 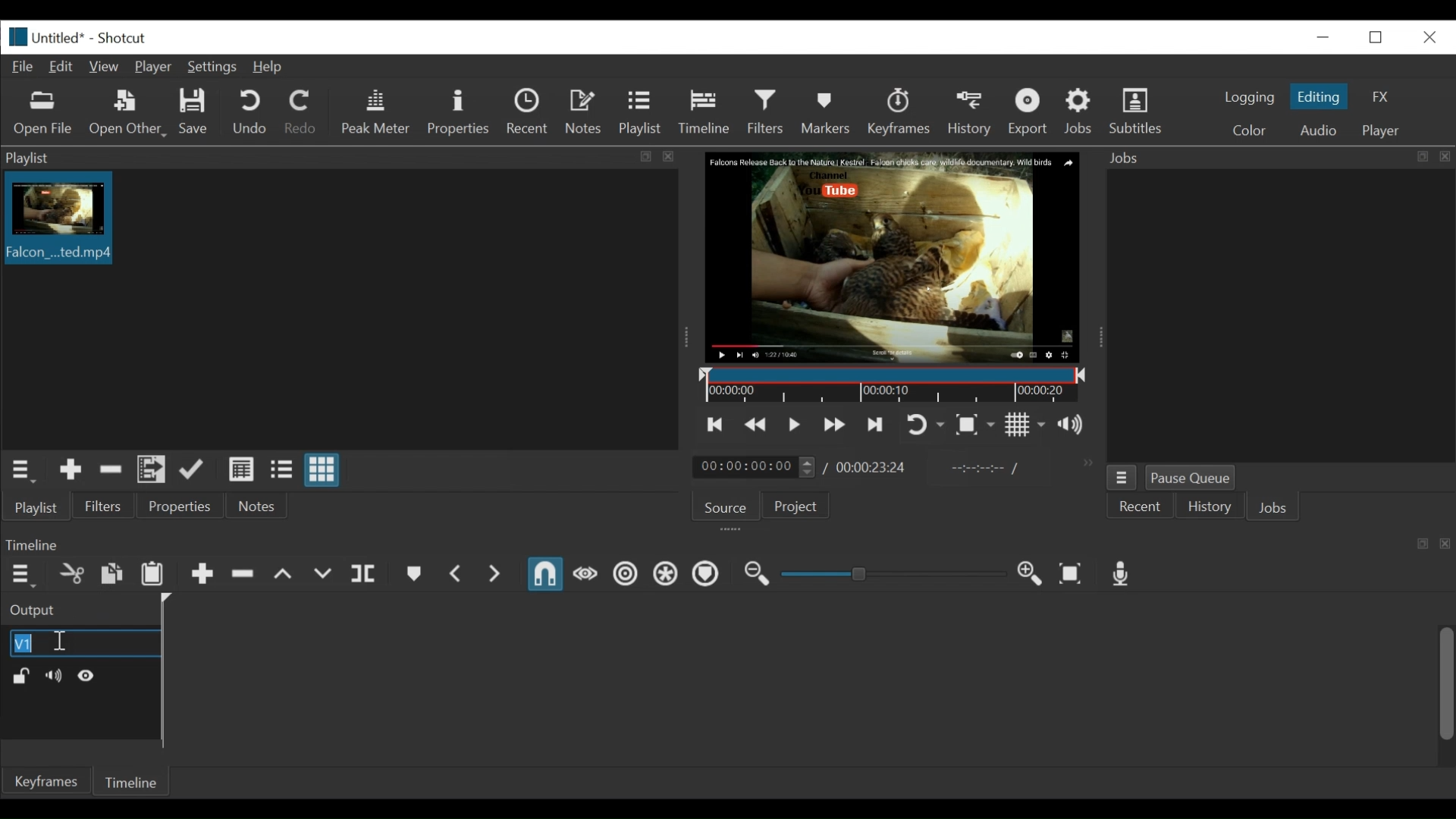 I want to click on Redo, so click(x=300, y=111).